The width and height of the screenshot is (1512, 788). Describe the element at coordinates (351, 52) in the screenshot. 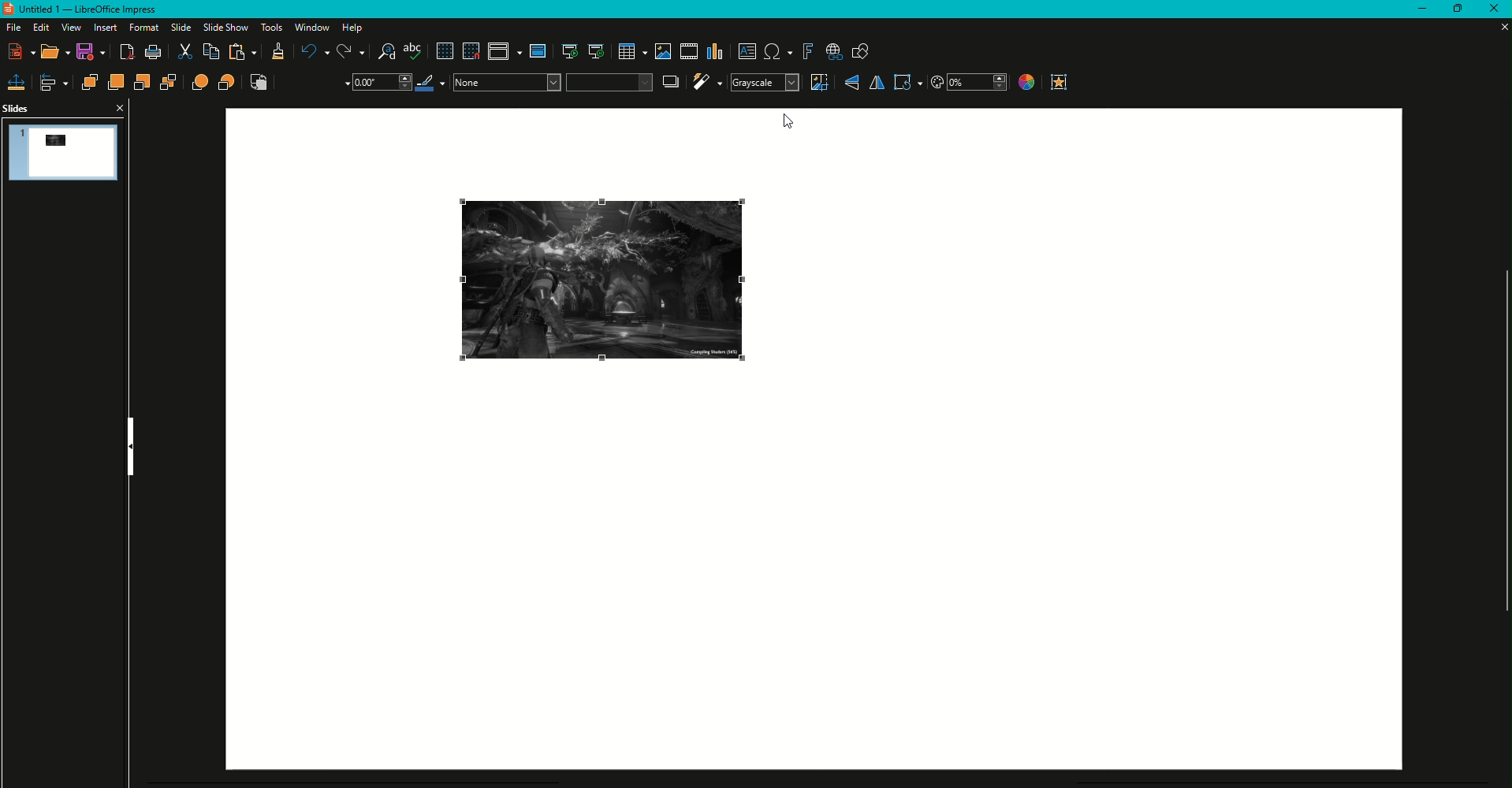

I see `Redo` at that location.